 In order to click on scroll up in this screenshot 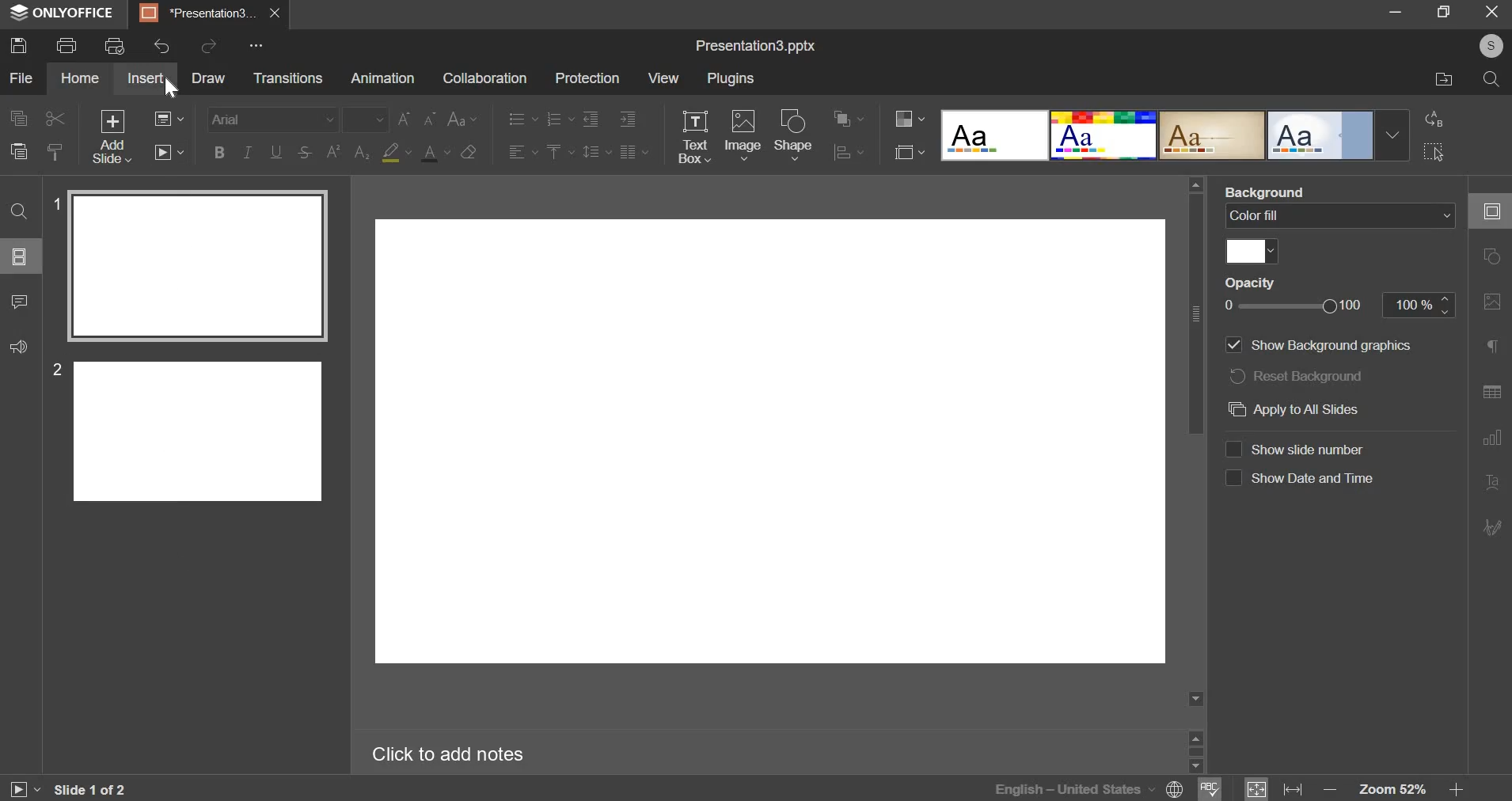, I will do `click(1195, 736)`.